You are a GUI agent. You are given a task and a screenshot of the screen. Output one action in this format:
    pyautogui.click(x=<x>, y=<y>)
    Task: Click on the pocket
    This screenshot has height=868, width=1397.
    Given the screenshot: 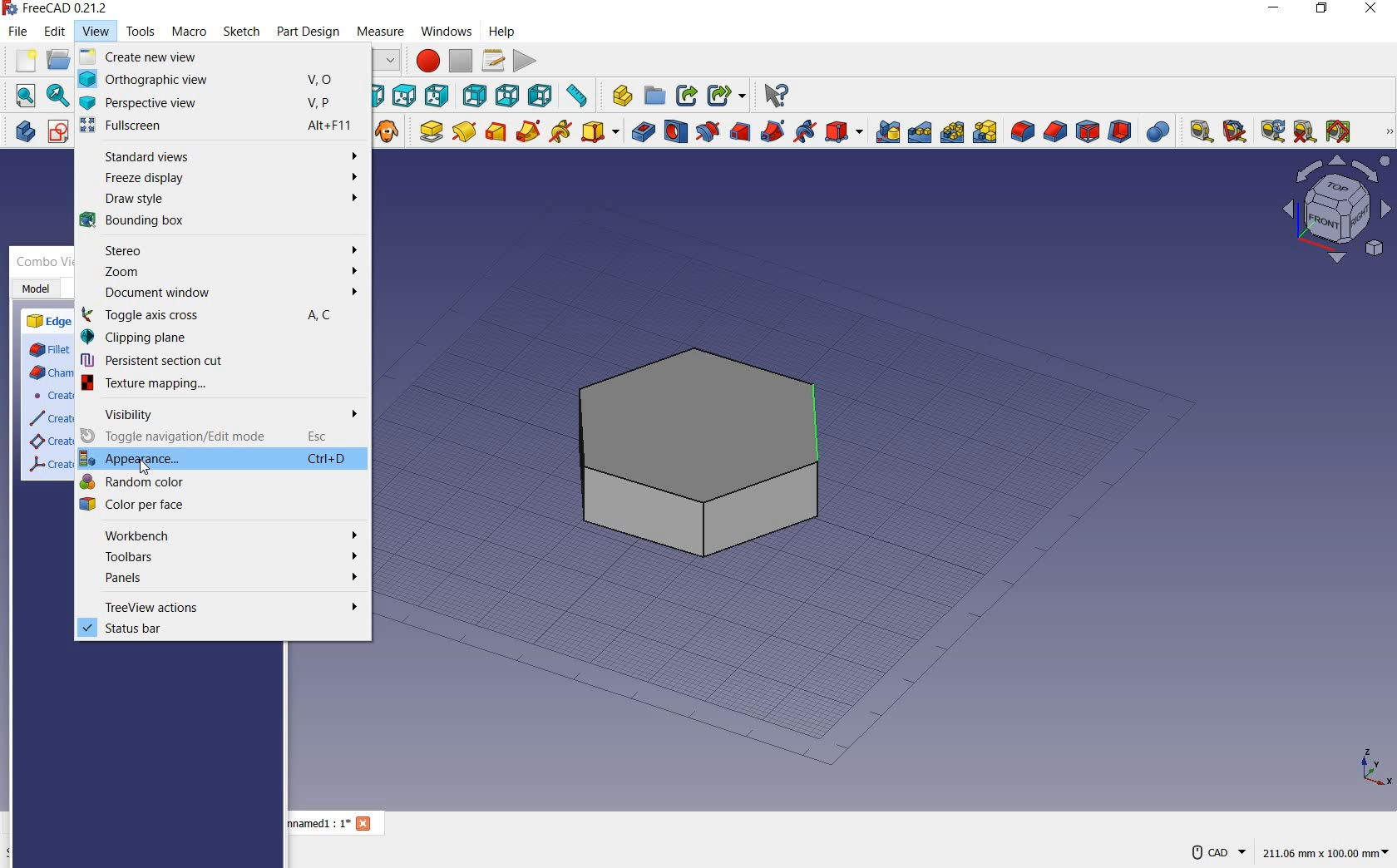 What is the action you would take?
    pyautogui.click(x=641, y=131)
    